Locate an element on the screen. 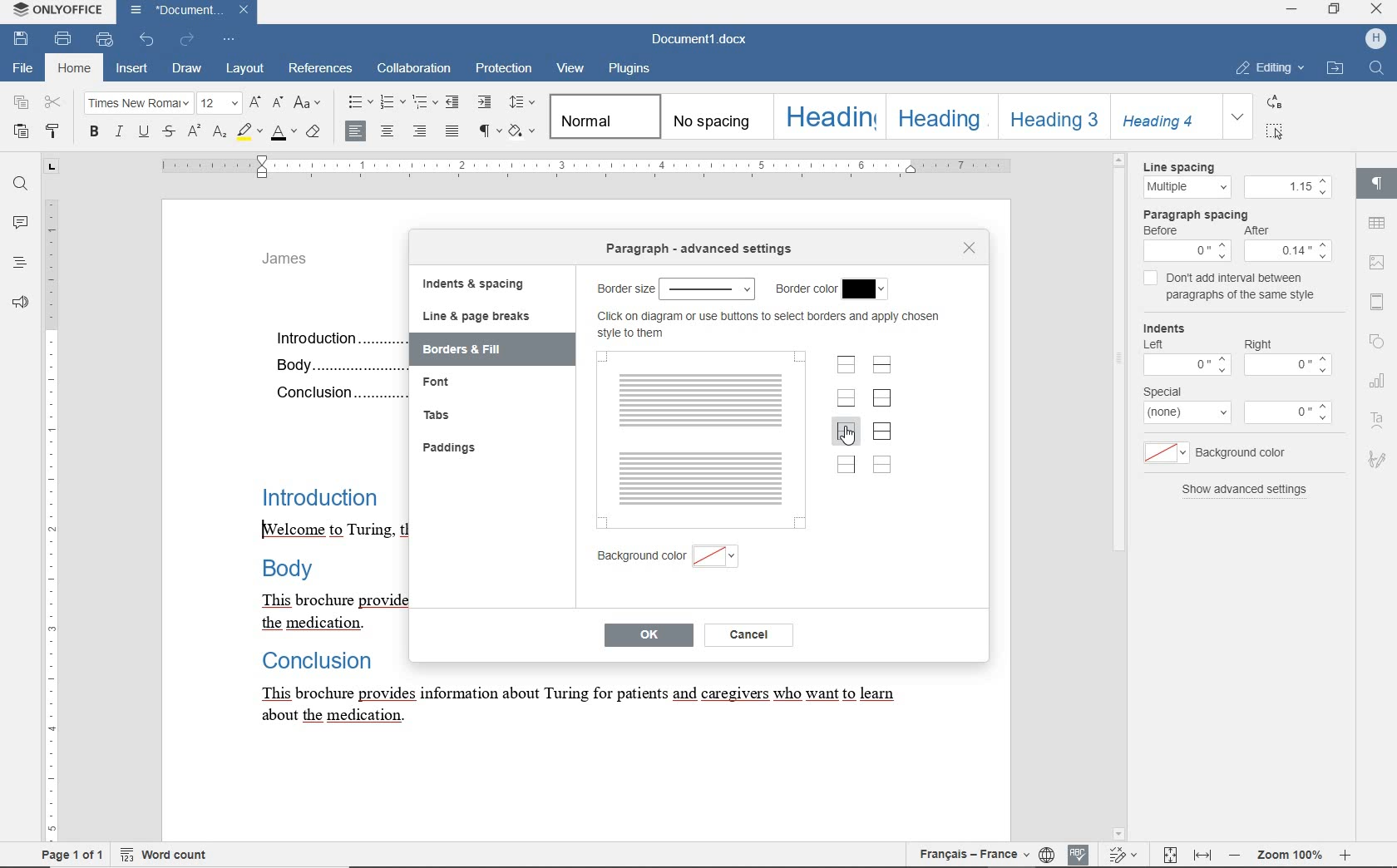 The height and width of the screenshot is (868, 1397). paragraph - advanced settings is located at coordinates (704, 250).